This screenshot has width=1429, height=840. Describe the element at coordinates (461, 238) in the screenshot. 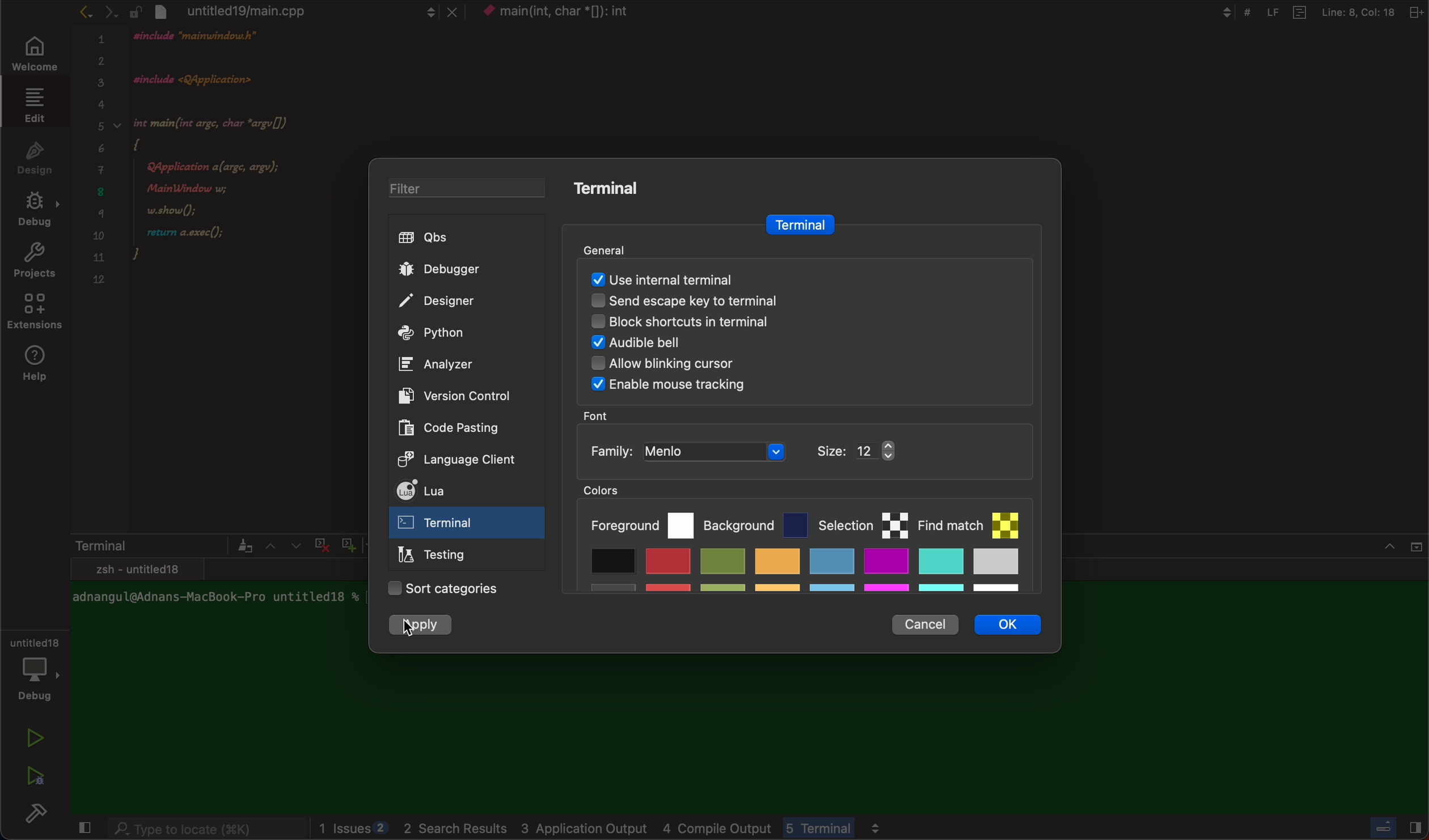

I see `qbs` at that location.